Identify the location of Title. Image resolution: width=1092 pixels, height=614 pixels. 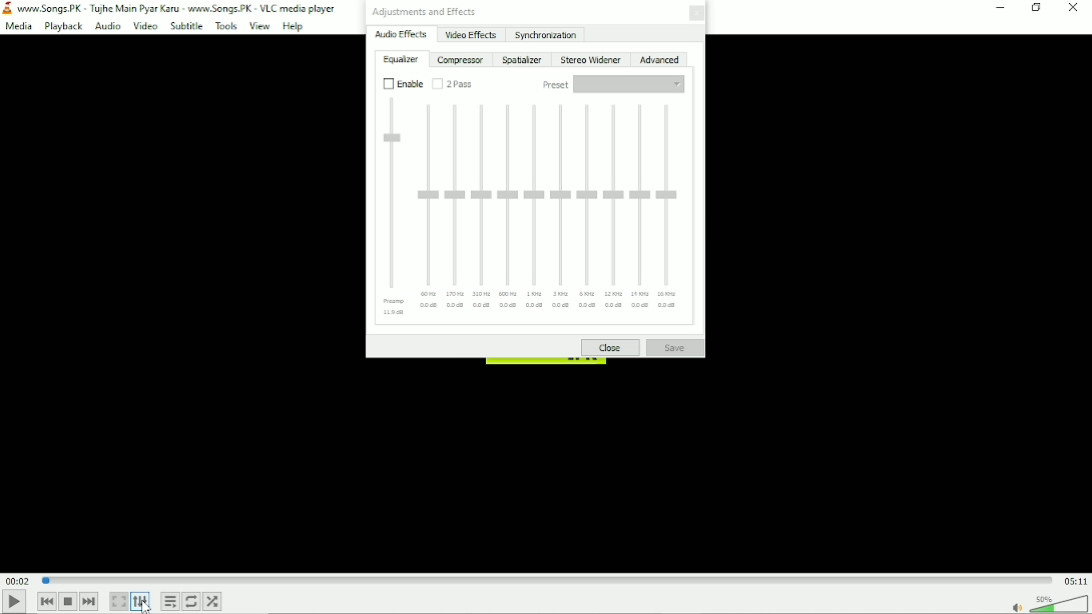
(172, 8).